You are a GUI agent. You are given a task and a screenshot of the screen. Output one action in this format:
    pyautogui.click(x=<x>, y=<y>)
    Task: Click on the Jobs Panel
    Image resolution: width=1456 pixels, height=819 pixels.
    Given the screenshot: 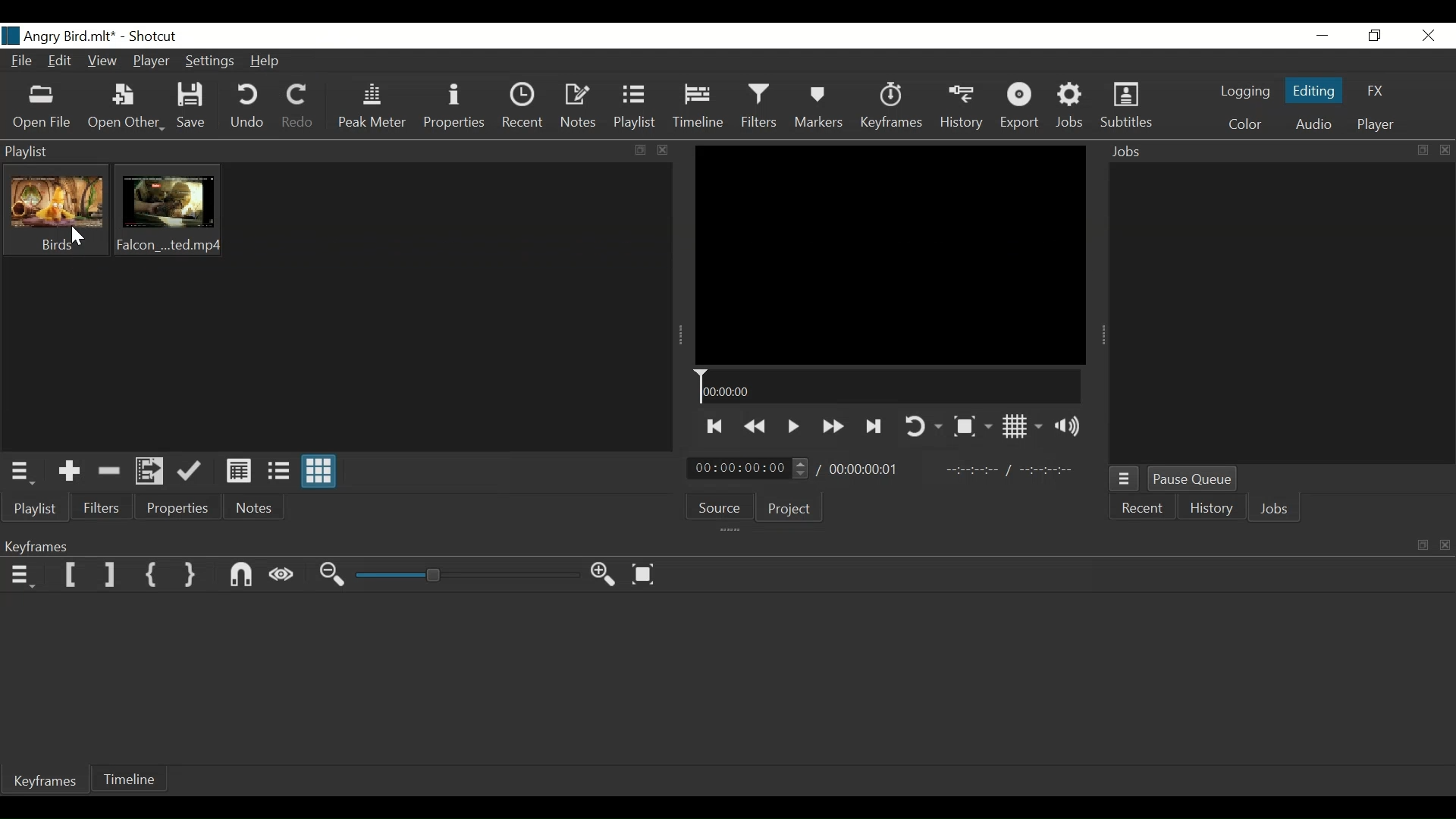 What is the action you would take?
    pyautogui.click(x=1278, y=310)
    